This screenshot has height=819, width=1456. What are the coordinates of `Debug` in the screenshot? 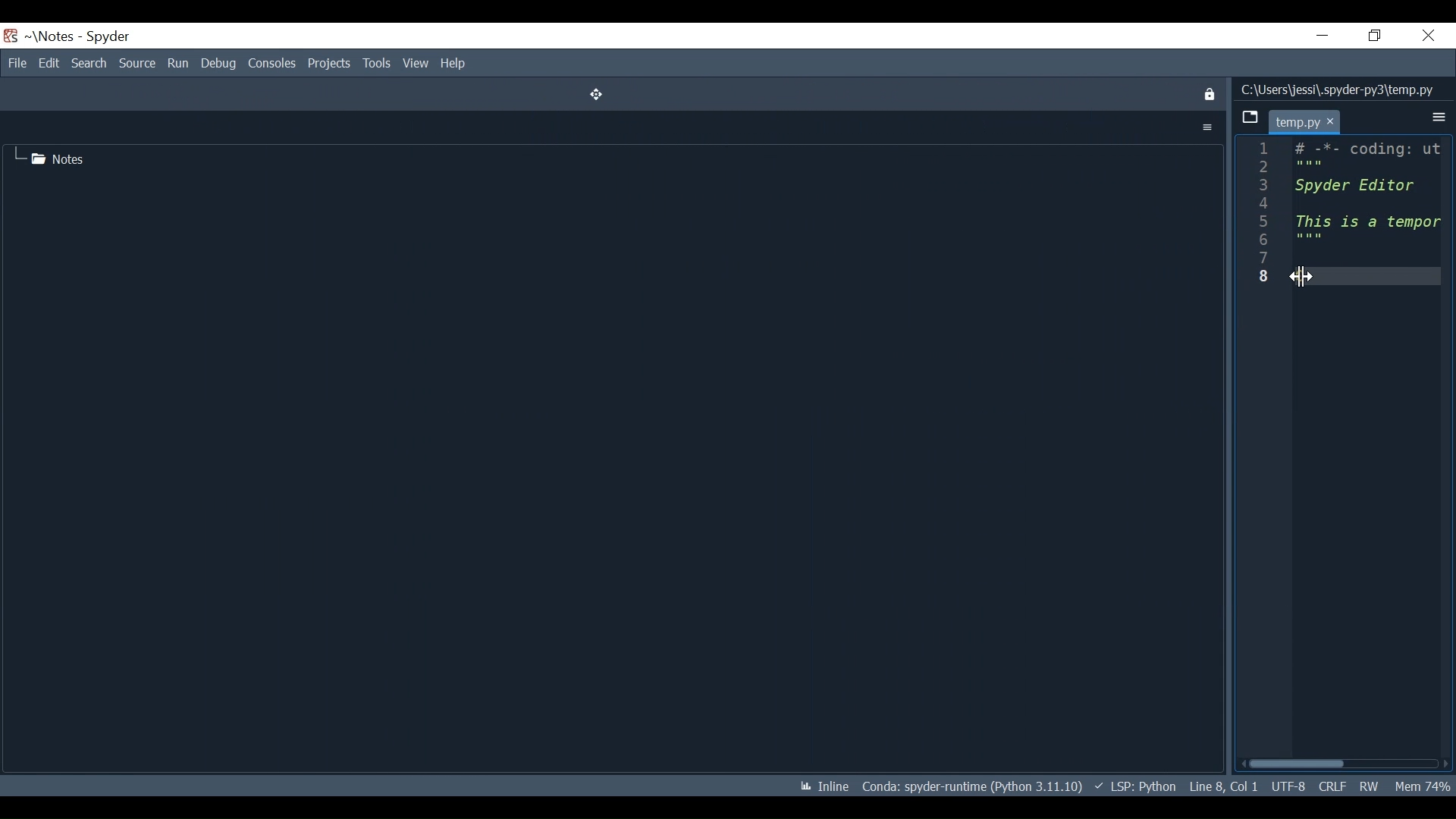 It's located at (219, 64).